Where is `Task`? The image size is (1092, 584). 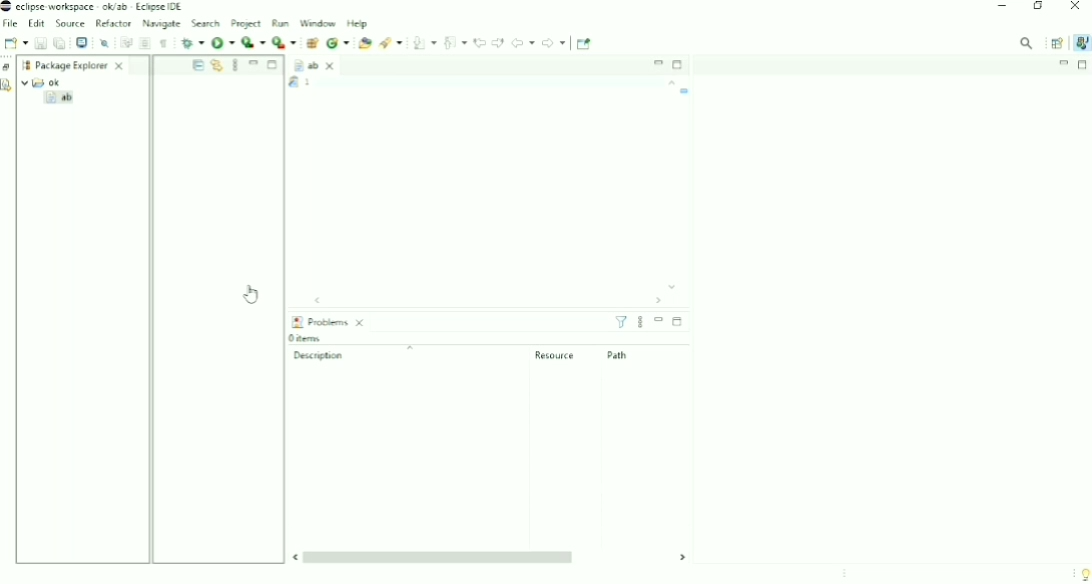 Task is located at coordinates (332, 83).